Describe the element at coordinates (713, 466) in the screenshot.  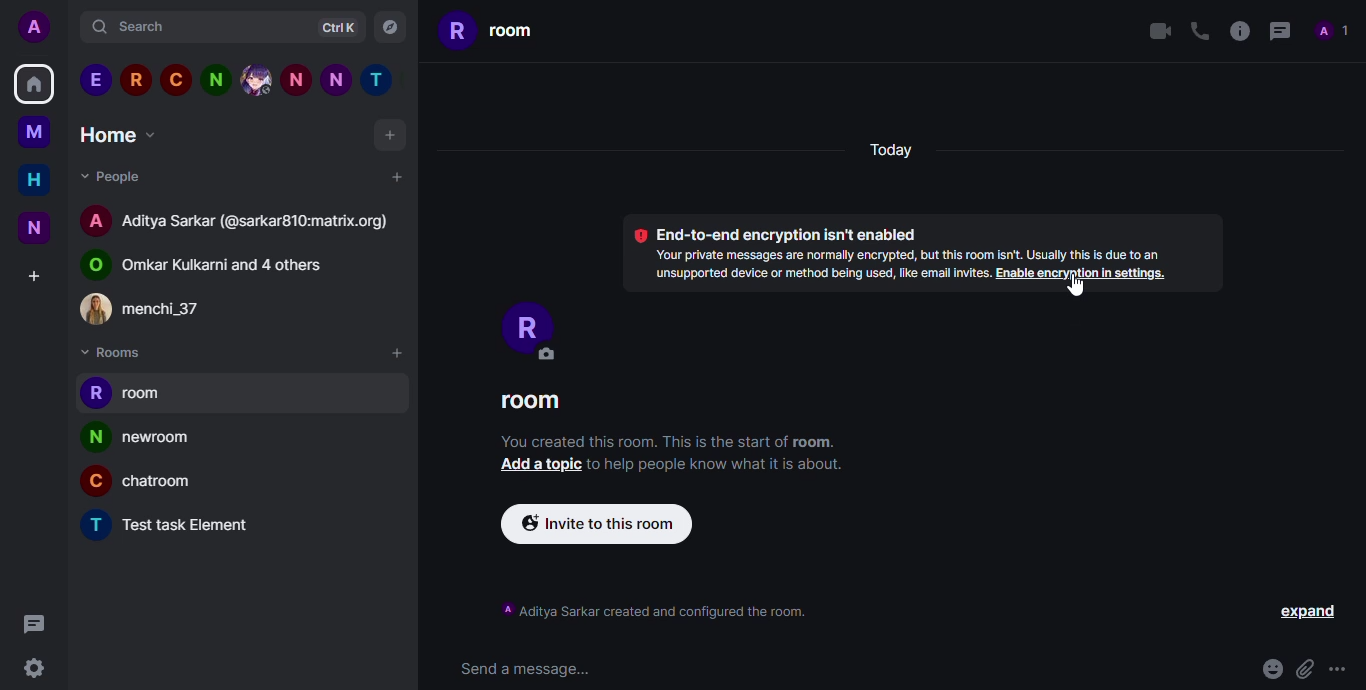
I see `info- to help people know what it is about.` at that location.